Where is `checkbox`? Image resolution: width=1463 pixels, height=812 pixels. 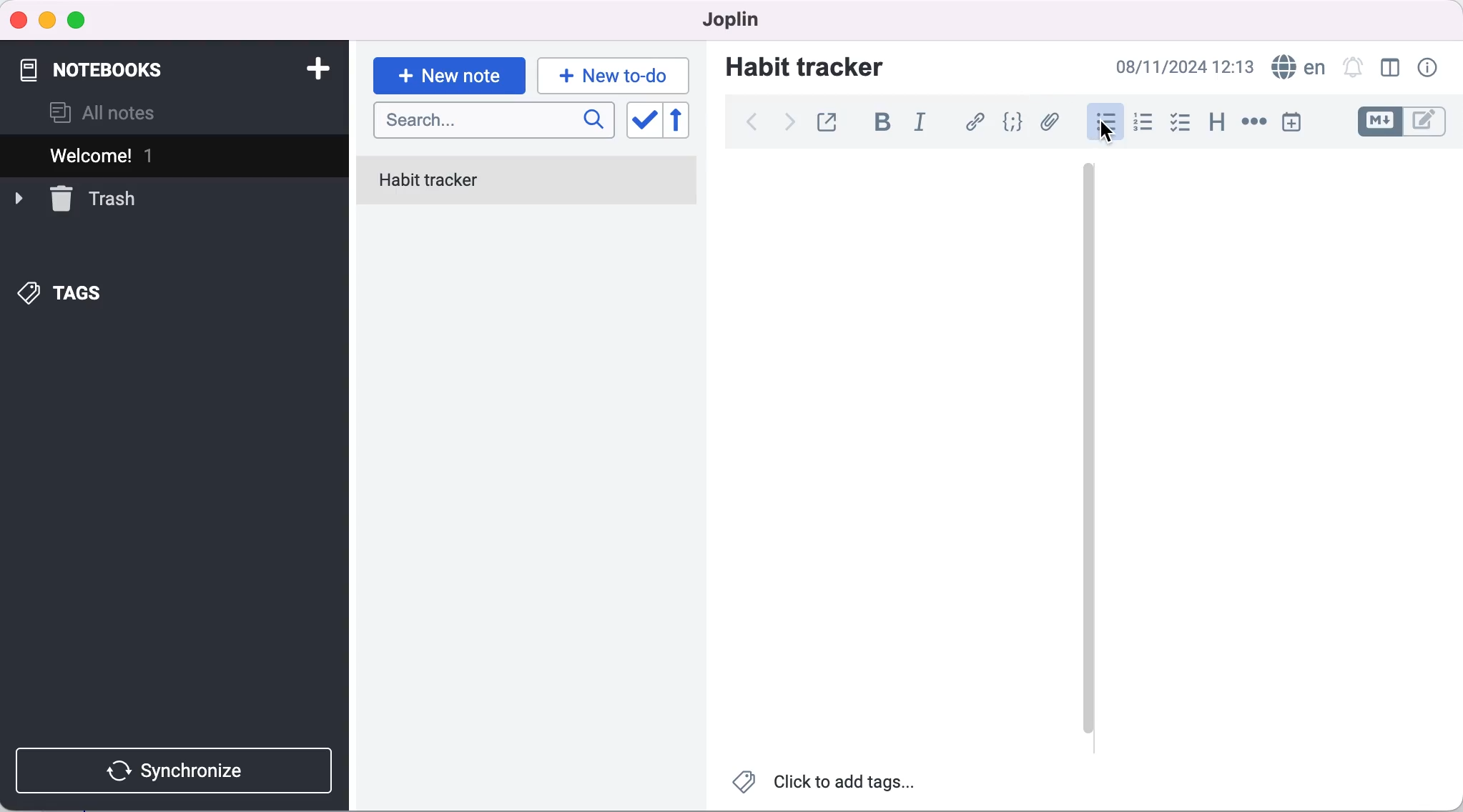
checkbox is located at coordinates (1181, 124).